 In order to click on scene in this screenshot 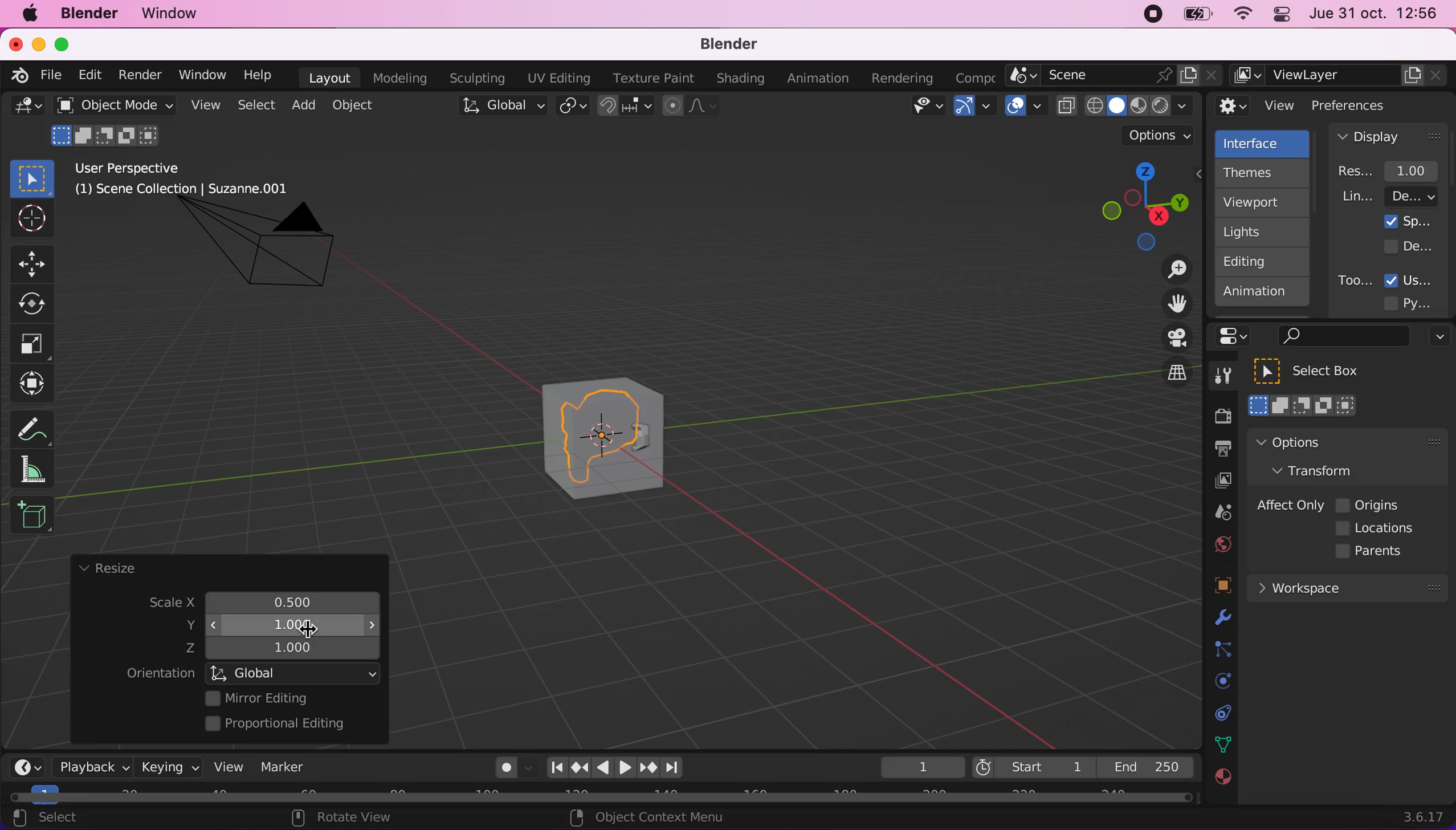, I will do `click(1218, 513)`.